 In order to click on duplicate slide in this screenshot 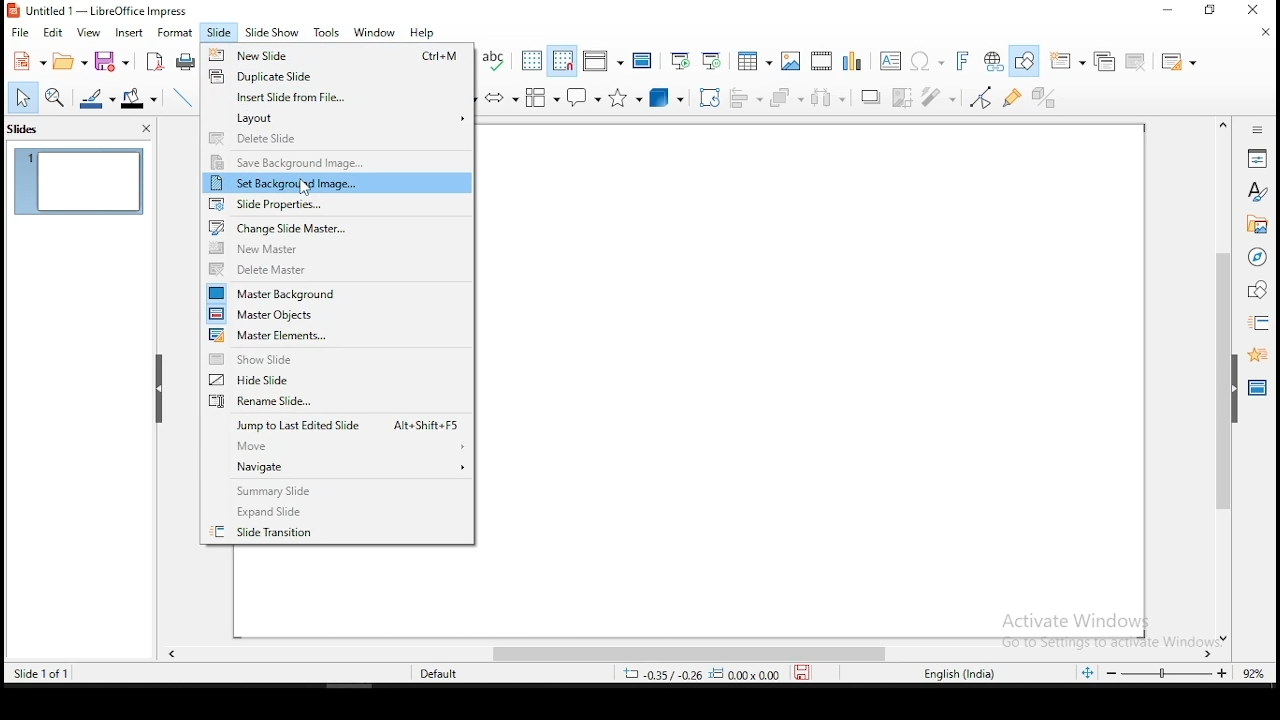, I will do `click(1103, 62)`.